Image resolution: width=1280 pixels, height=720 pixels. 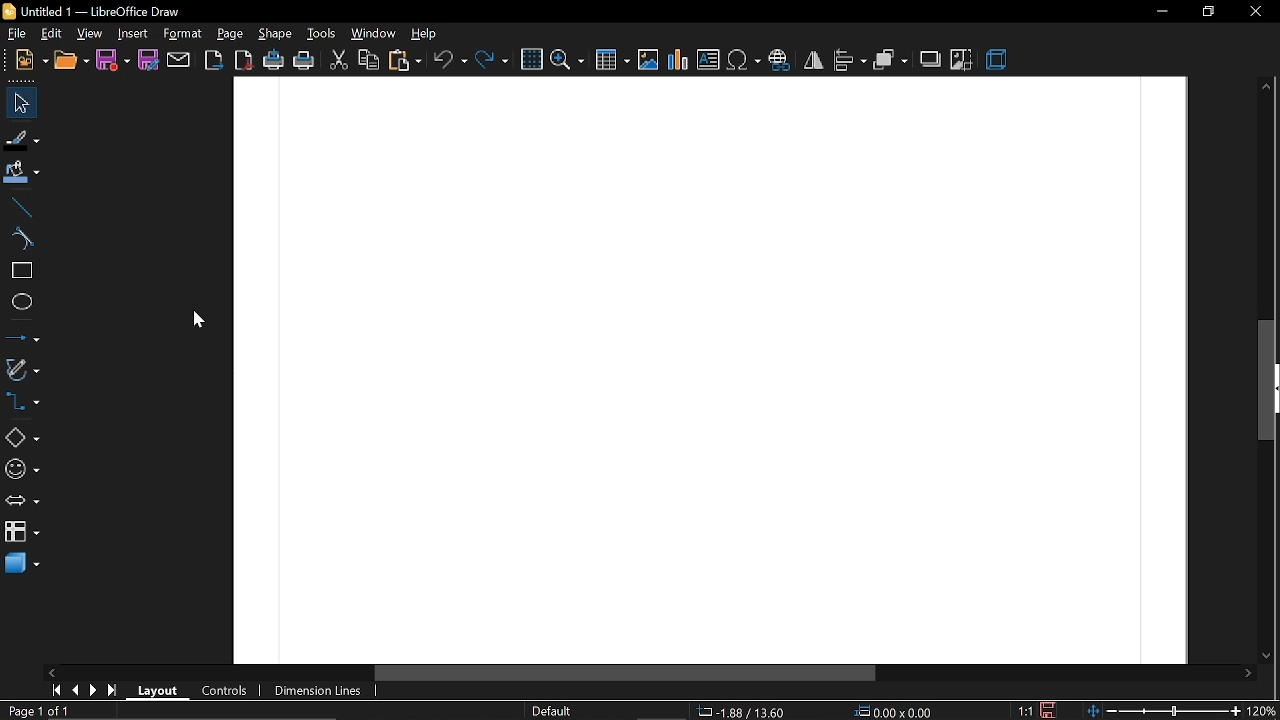 I want to click on move up, so click(x=1270, y=83).